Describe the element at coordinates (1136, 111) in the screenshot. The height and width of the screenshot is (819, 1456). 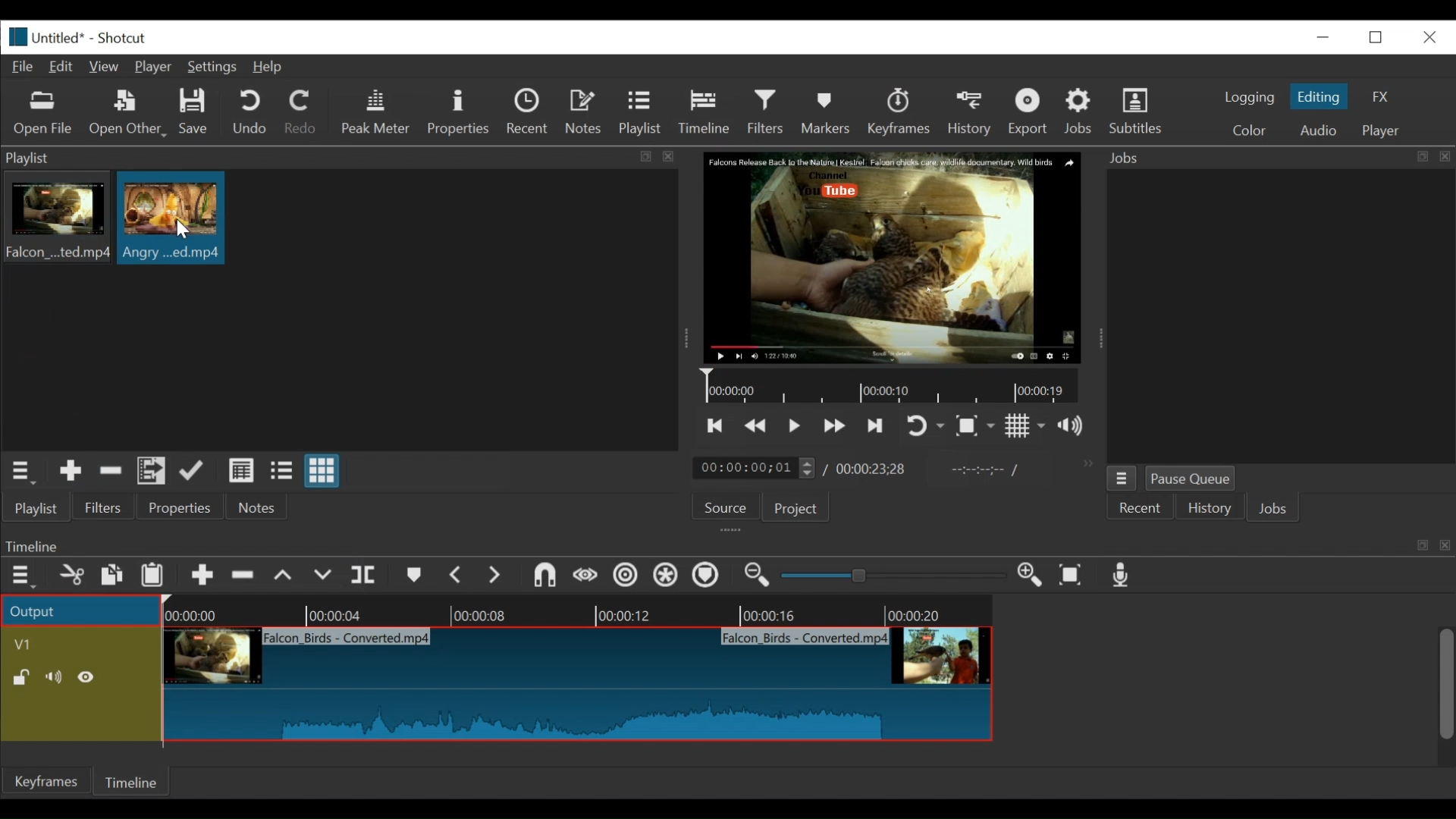
I see `Subtitles` at that location.